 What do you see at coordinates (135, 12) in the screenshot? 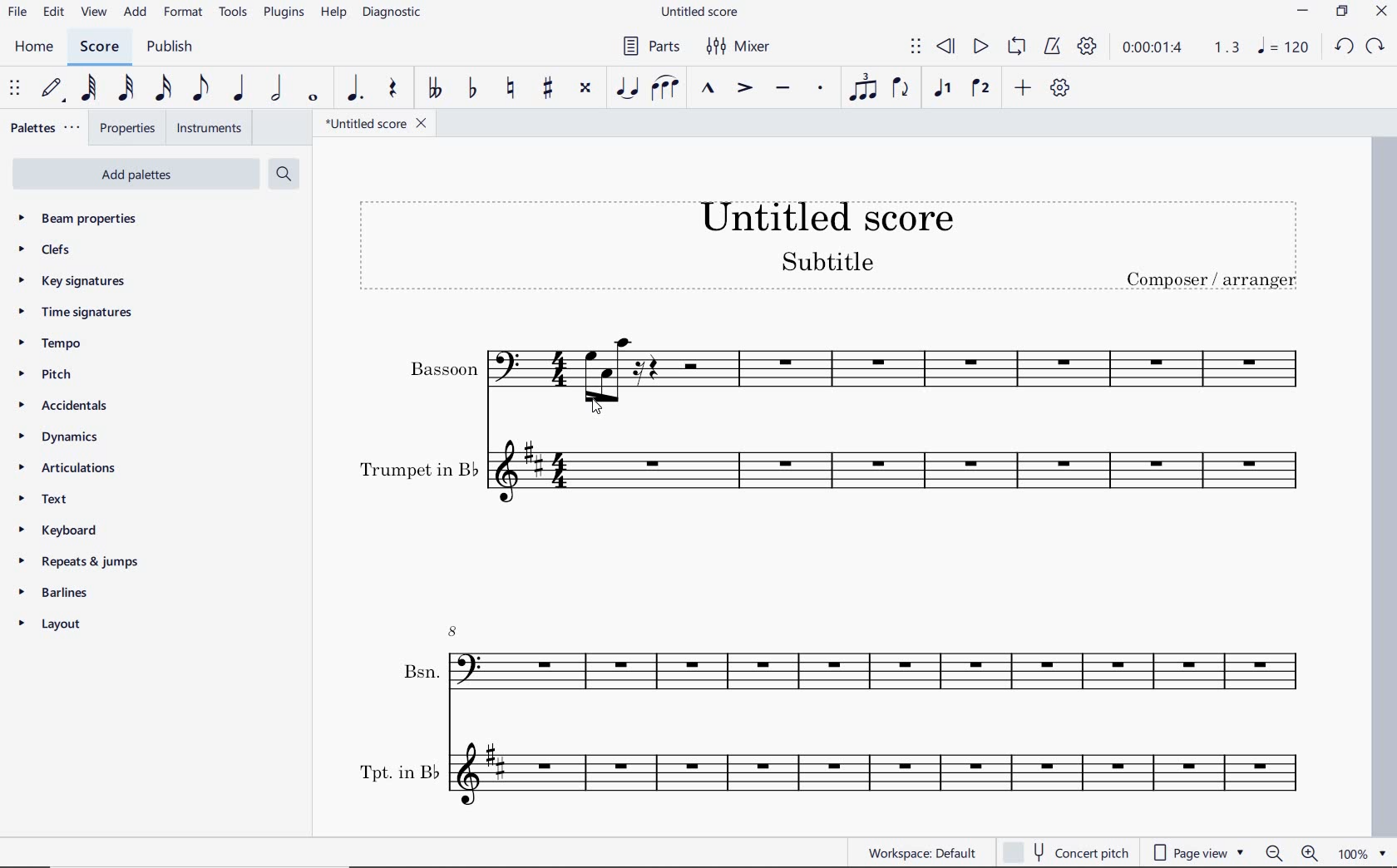
I see `add` at bounding box center [135, 12].